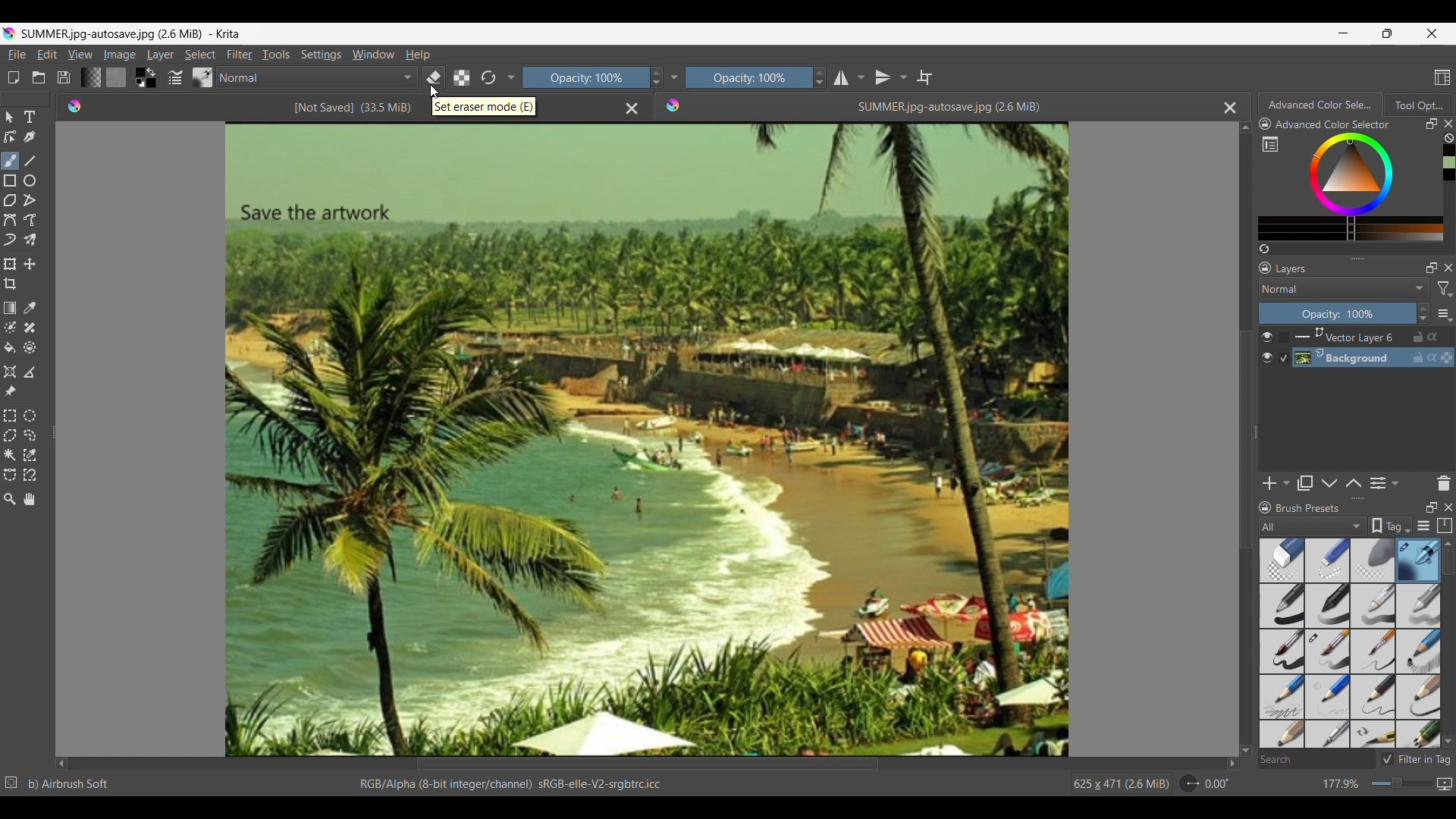 The image size is (1456, 819). What do you see at coordinates (30, 117) in the screenshot?
I see `Type tool` at bounding box center [30, 117].